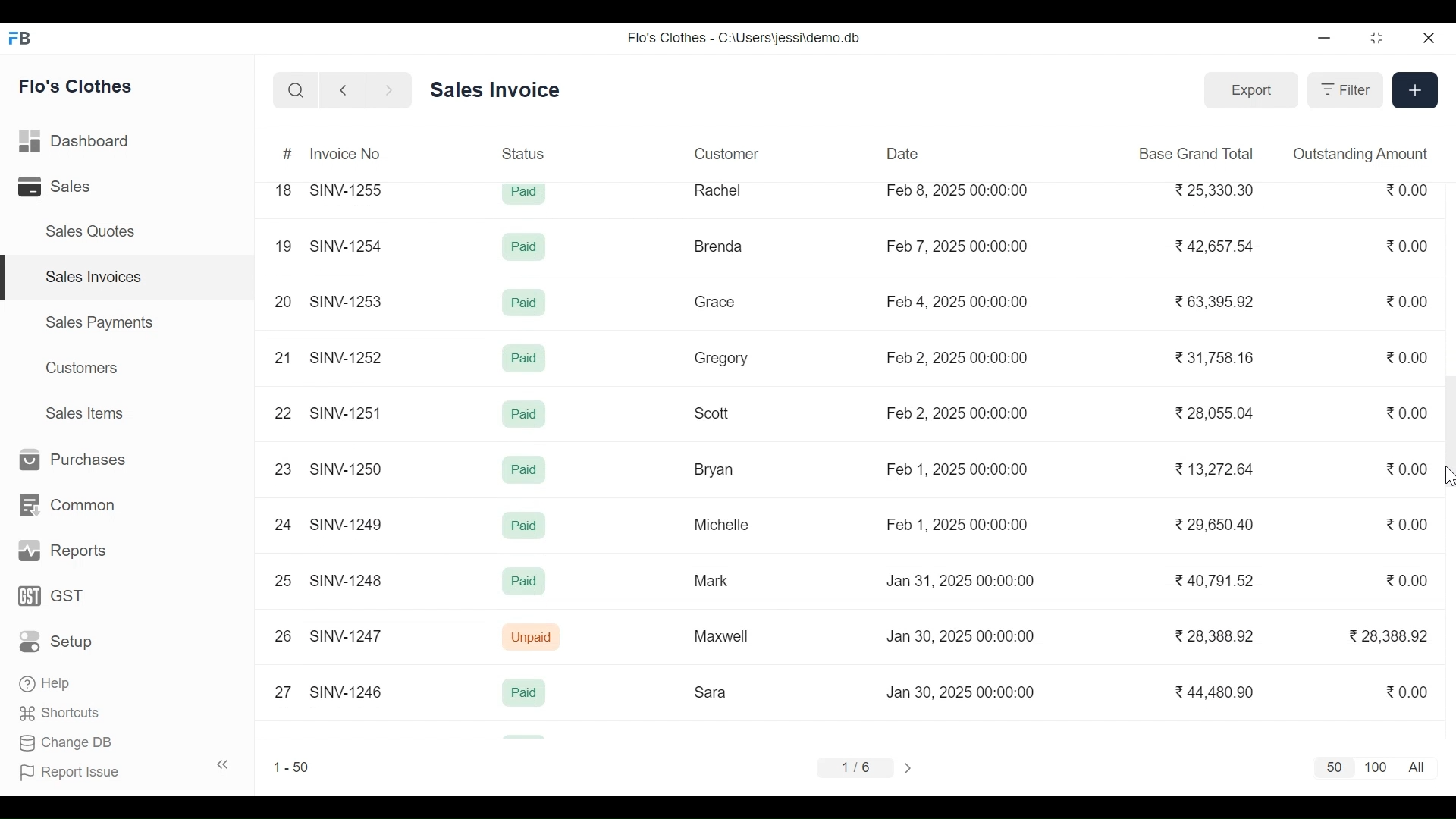  Describe the element at coordinates (88, 231) in the screenshot. I see `Sales Quotes` at that location.